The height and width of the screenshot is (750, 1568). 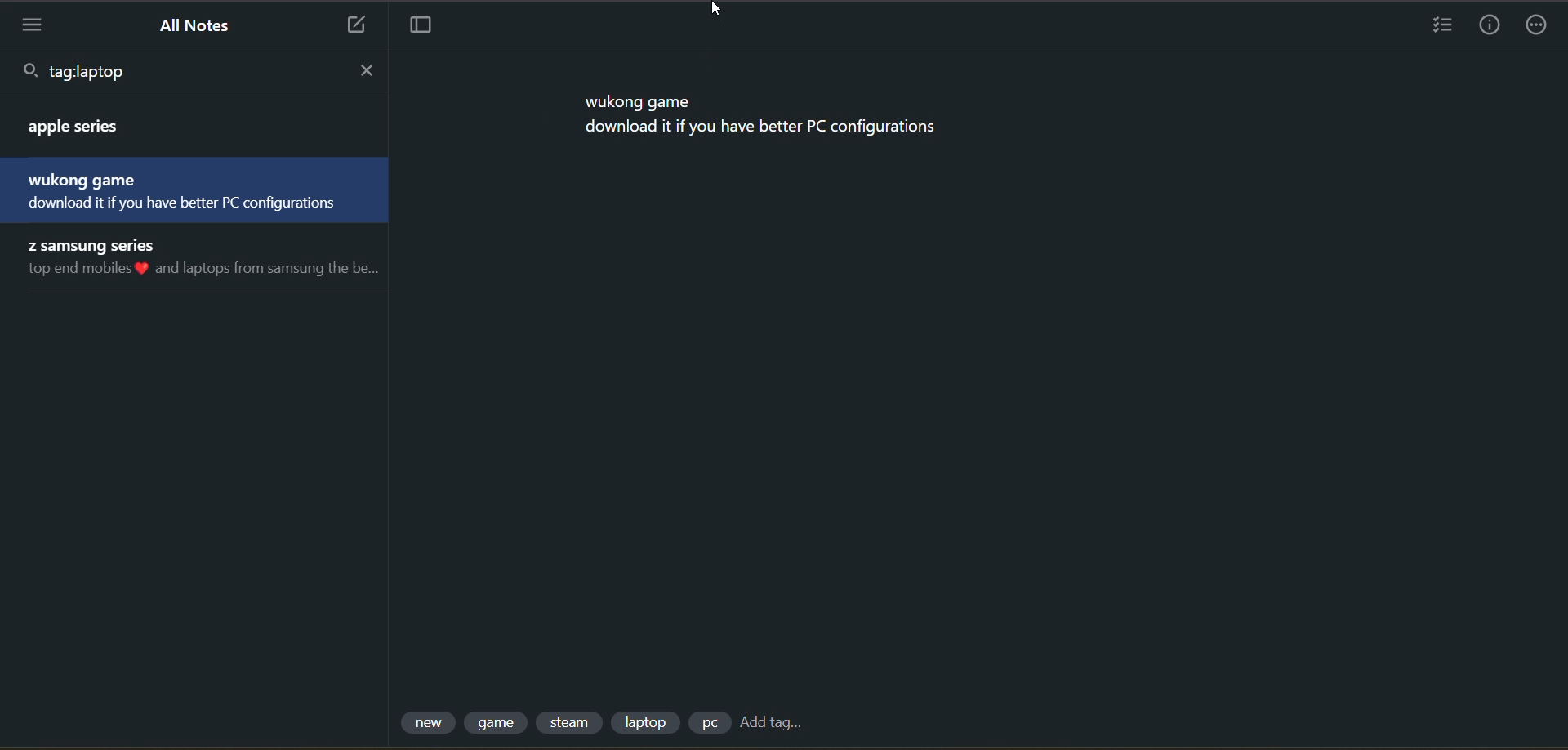 I want to click on notes with tag matching, so click(x=167, y=124).